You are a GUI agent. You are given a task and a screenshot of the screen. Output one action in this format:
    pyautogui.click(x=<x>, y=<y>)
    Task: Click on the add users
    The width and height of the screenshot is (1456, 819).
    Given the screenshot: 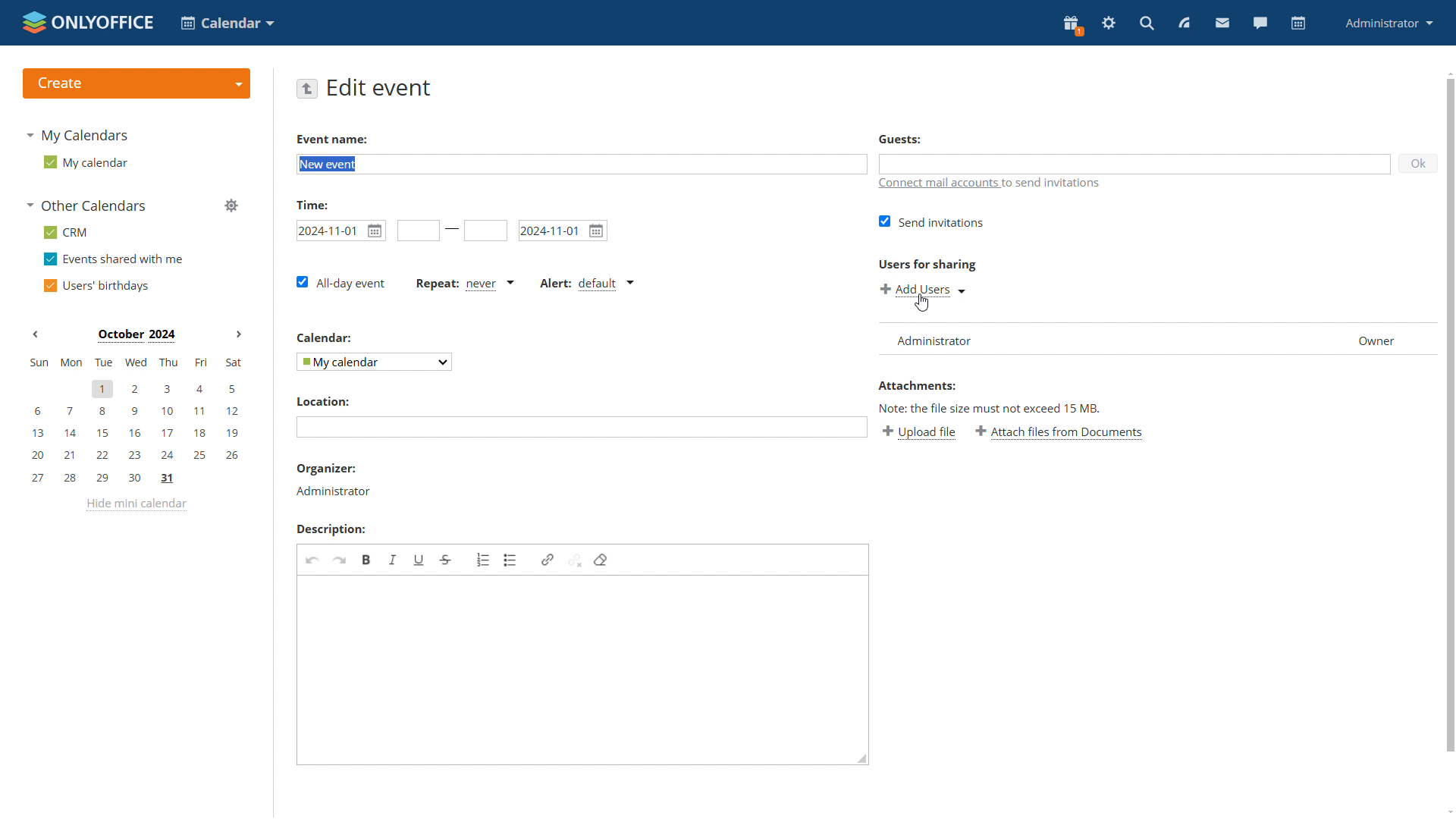 What is the action you would take?
    pyautogui.click(x=924, y=289)
    